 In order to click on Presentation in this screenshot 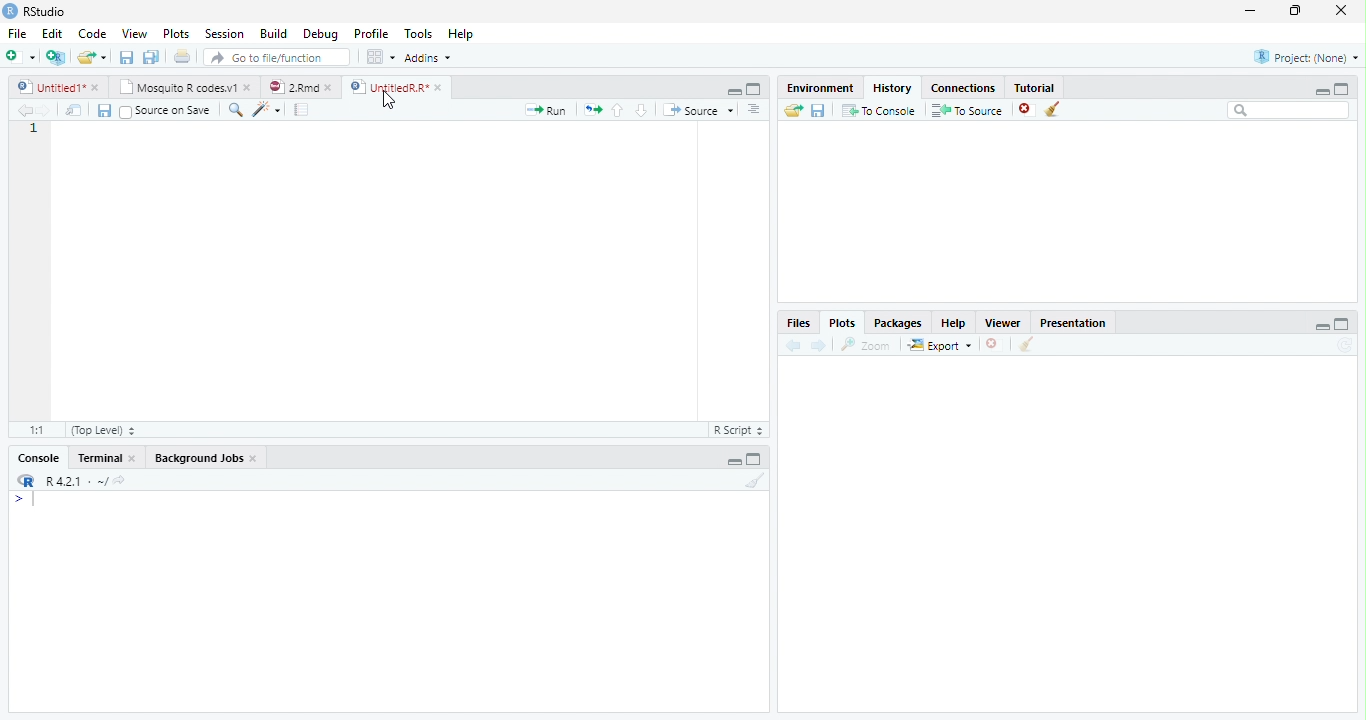, I will do `click(1074, 324)`.